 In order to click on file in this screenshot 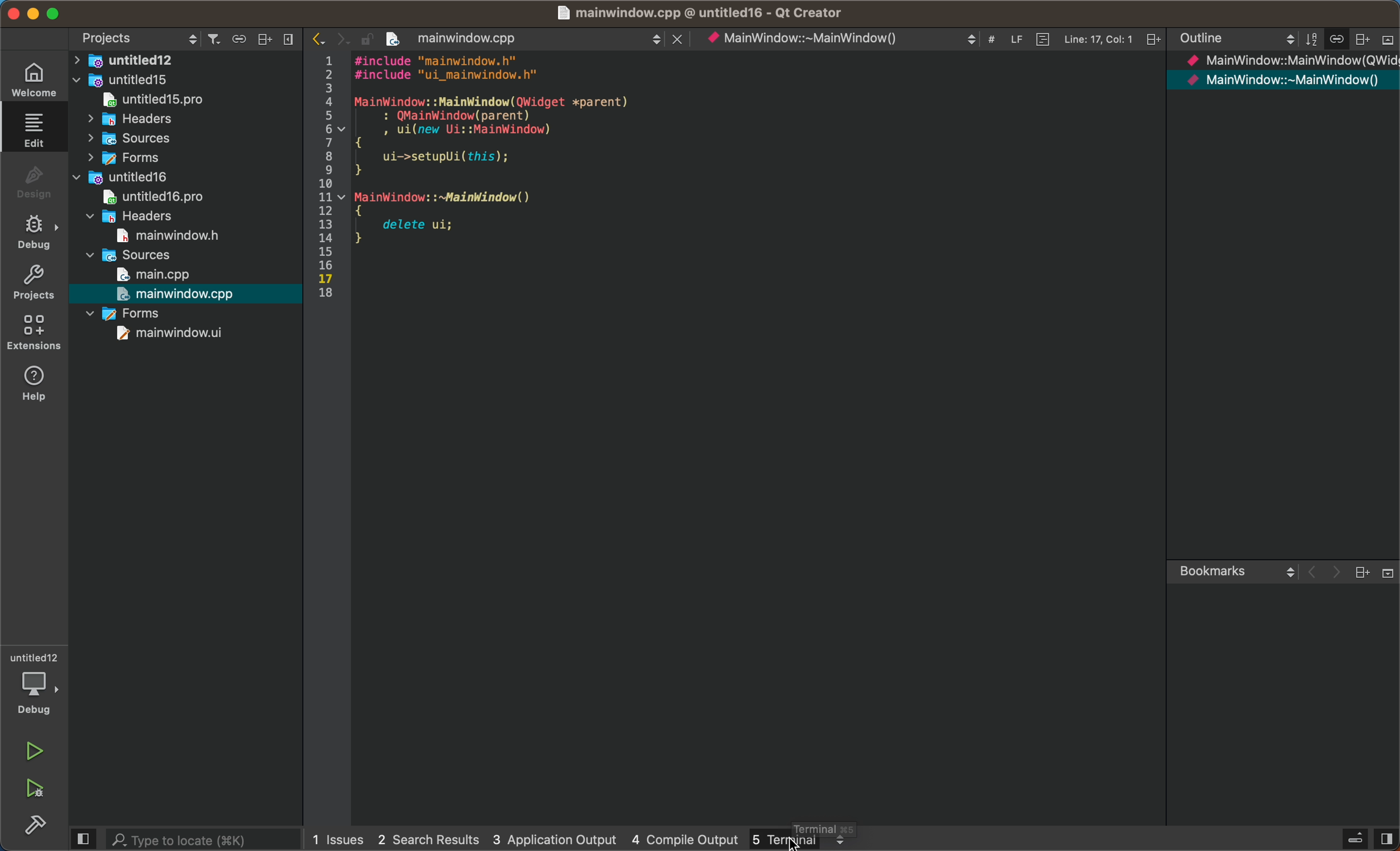, I will do `click(181, 333)`.